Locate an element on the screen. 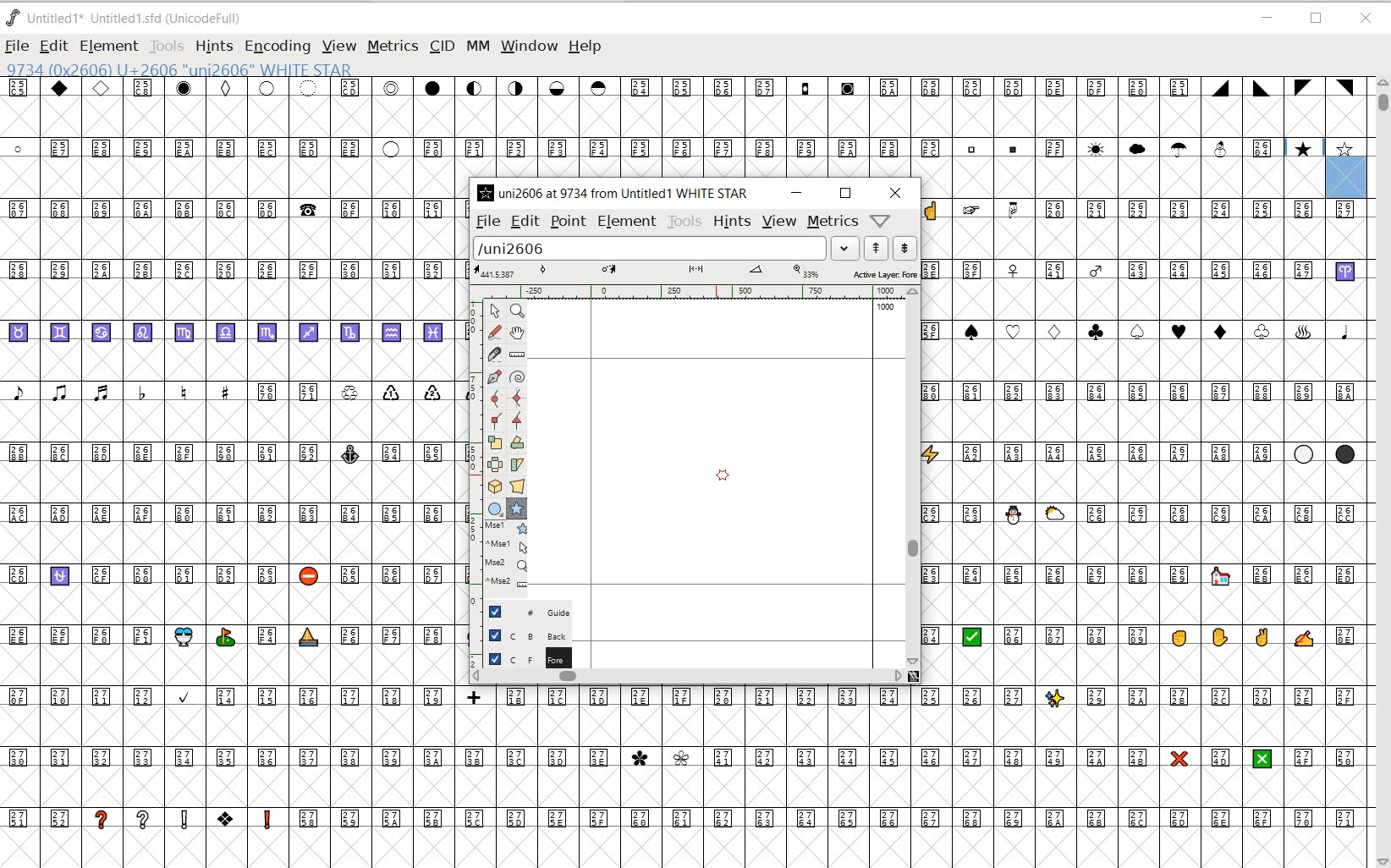  VIEW is located at coordinates (338, 47).